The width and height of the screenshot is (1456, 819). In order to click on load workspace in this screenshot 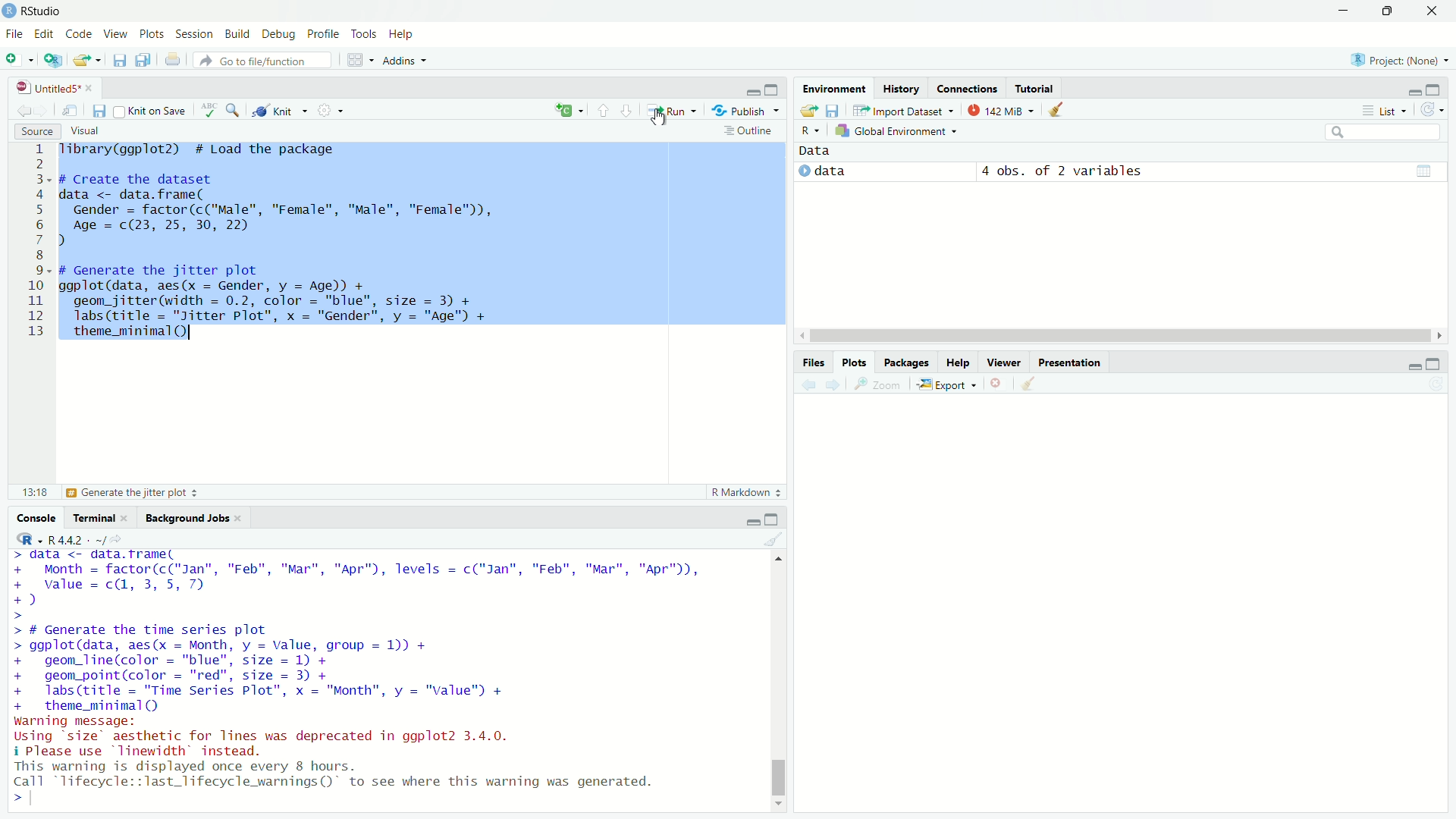, I will do `click(808, 111)`.